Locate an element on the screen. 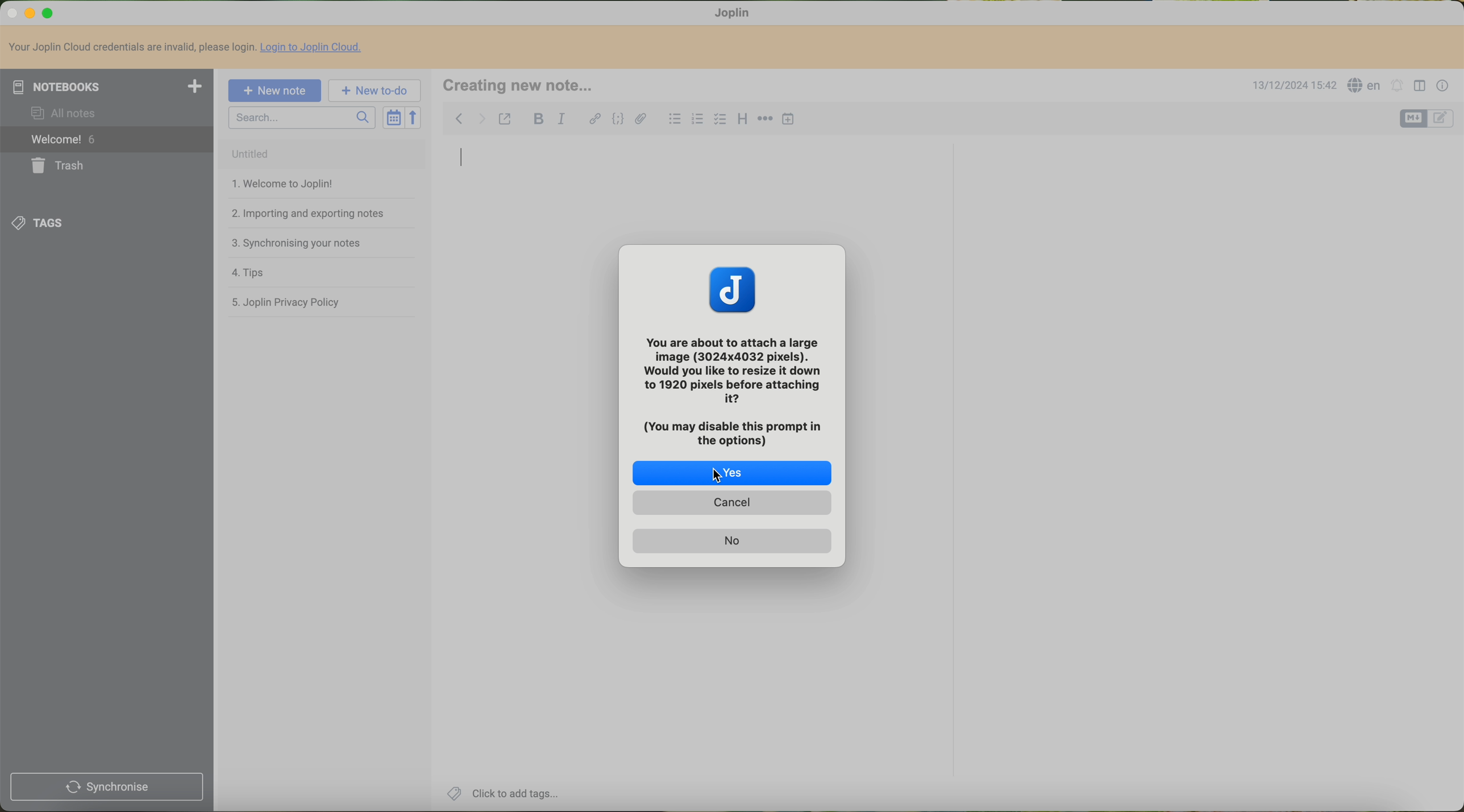 The image size is (1464, 812). welcome to joplin is located at coordinates (280, 184).